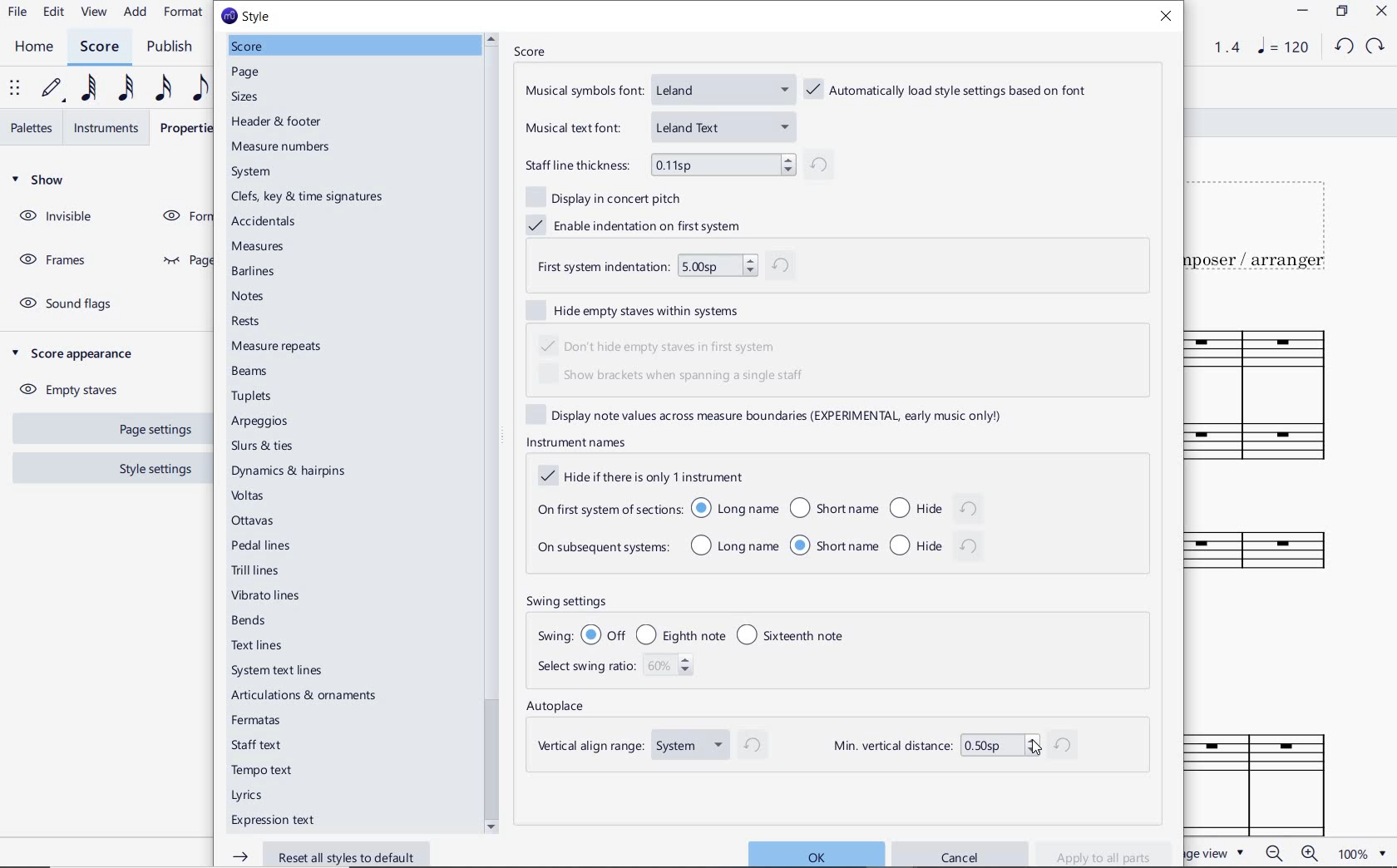  What do you see at coordinates (182, 261) in the screenshot?
I see `PAGE MARGINS` at bounding box center [182, 261].